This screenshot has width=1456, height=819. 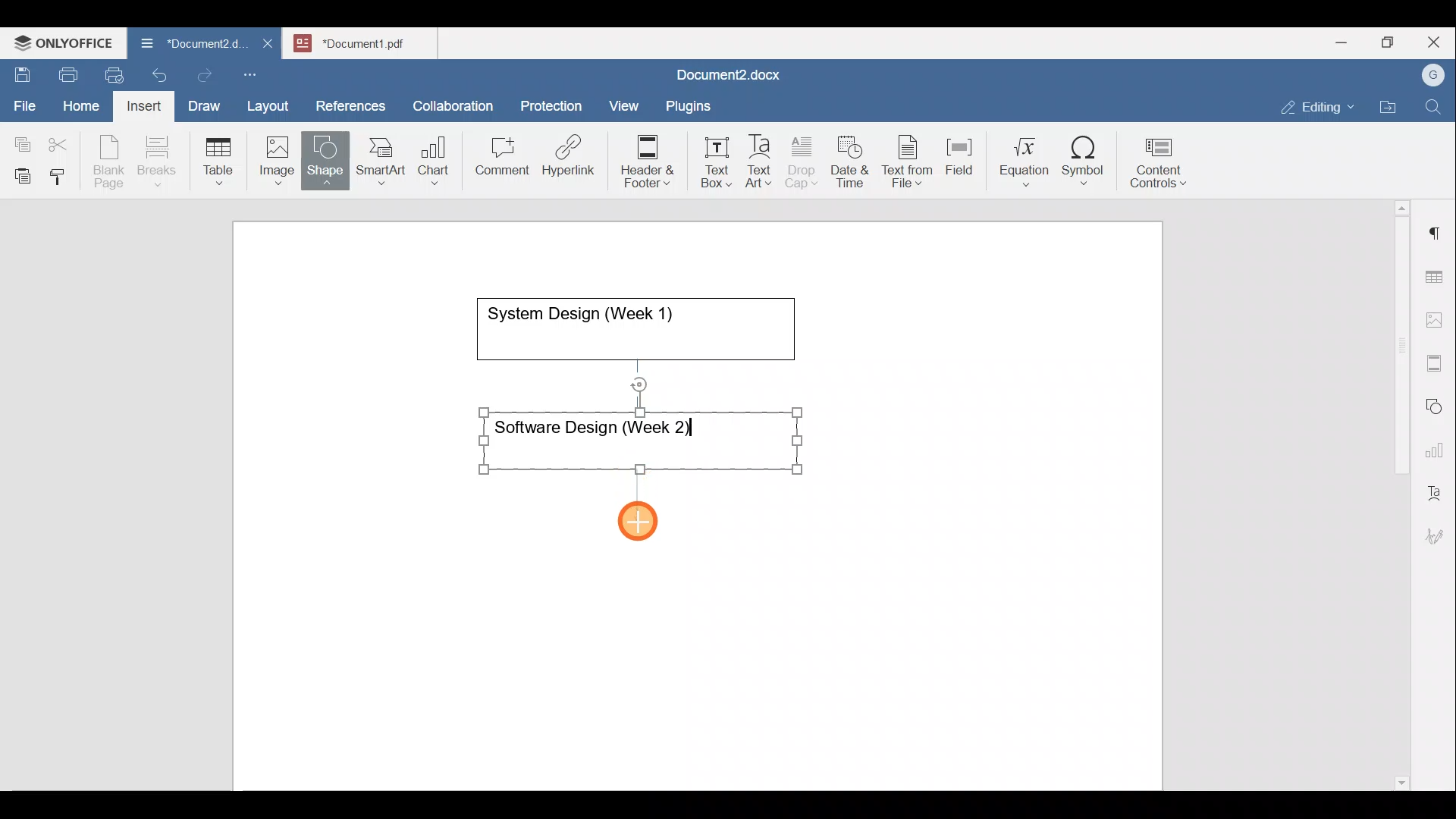 I want to click on Quick print, so click(x=110, y=73).